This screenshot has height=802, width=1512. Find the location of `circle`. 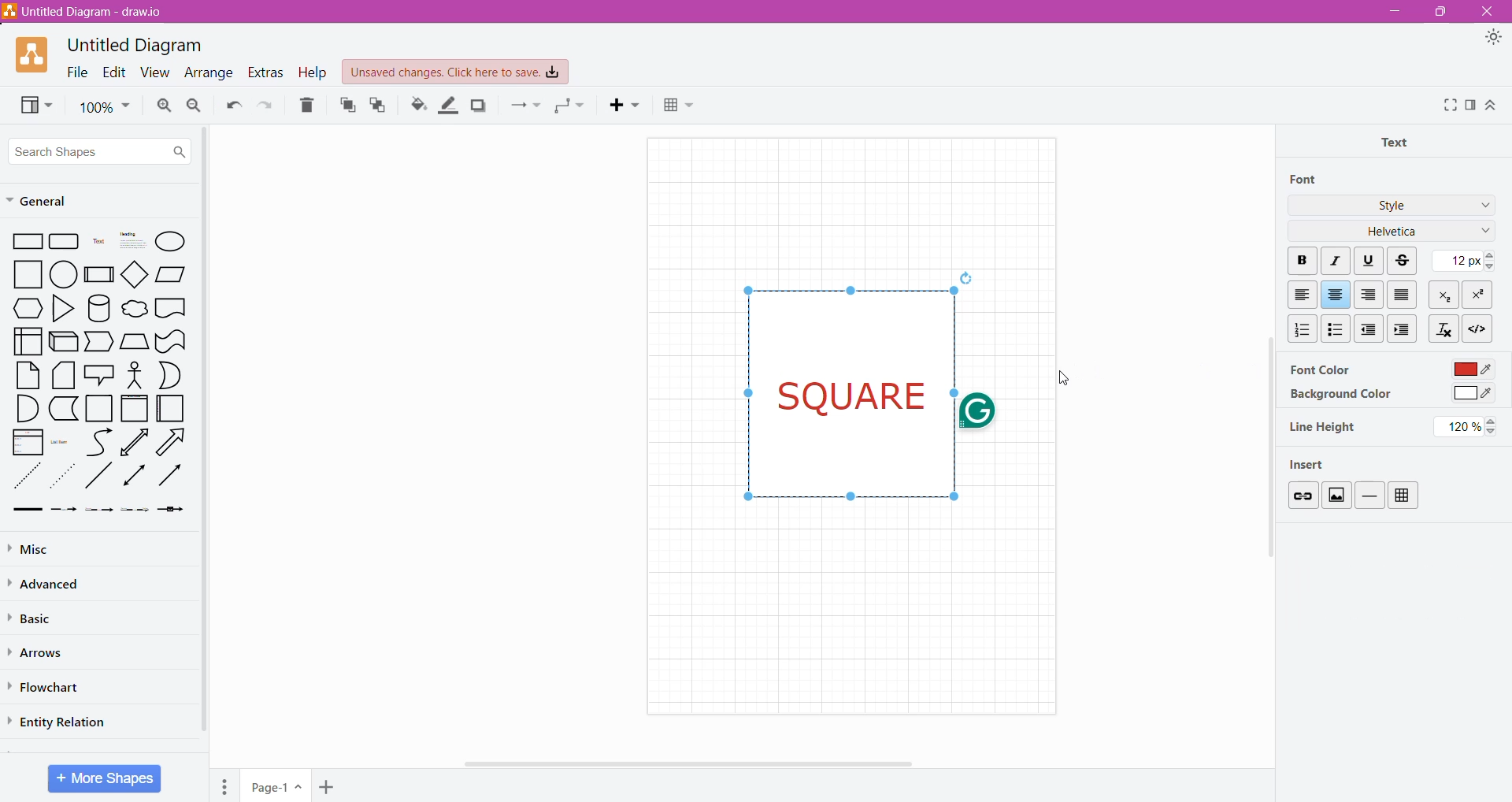

circle is located at coordinates (64, 273).